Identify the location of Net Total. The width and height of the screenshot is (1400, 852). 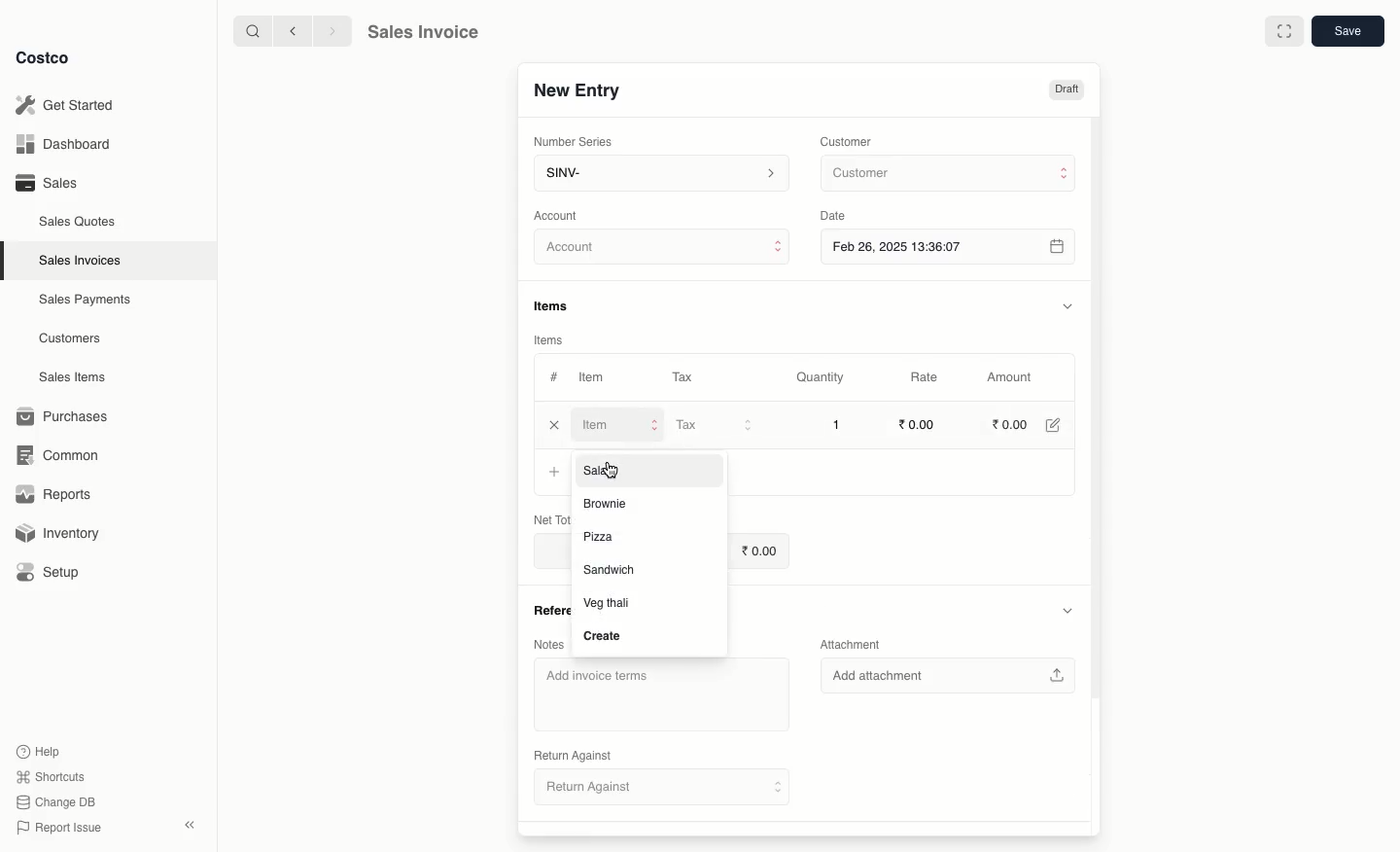
(546, 516).